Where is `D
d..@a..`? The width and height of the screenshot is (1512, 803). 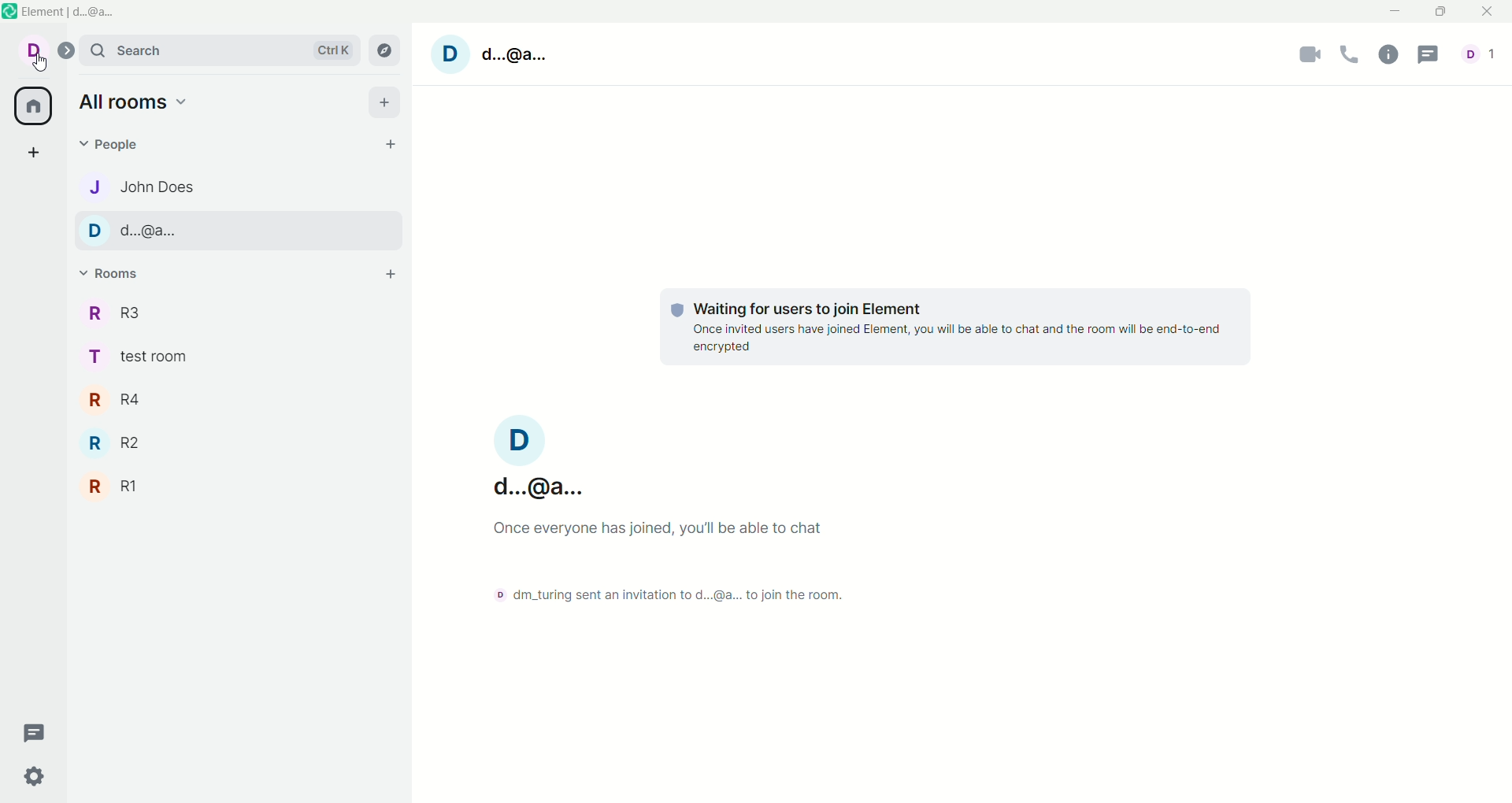
D
d..@a.. is located at coordinates (541, 460).